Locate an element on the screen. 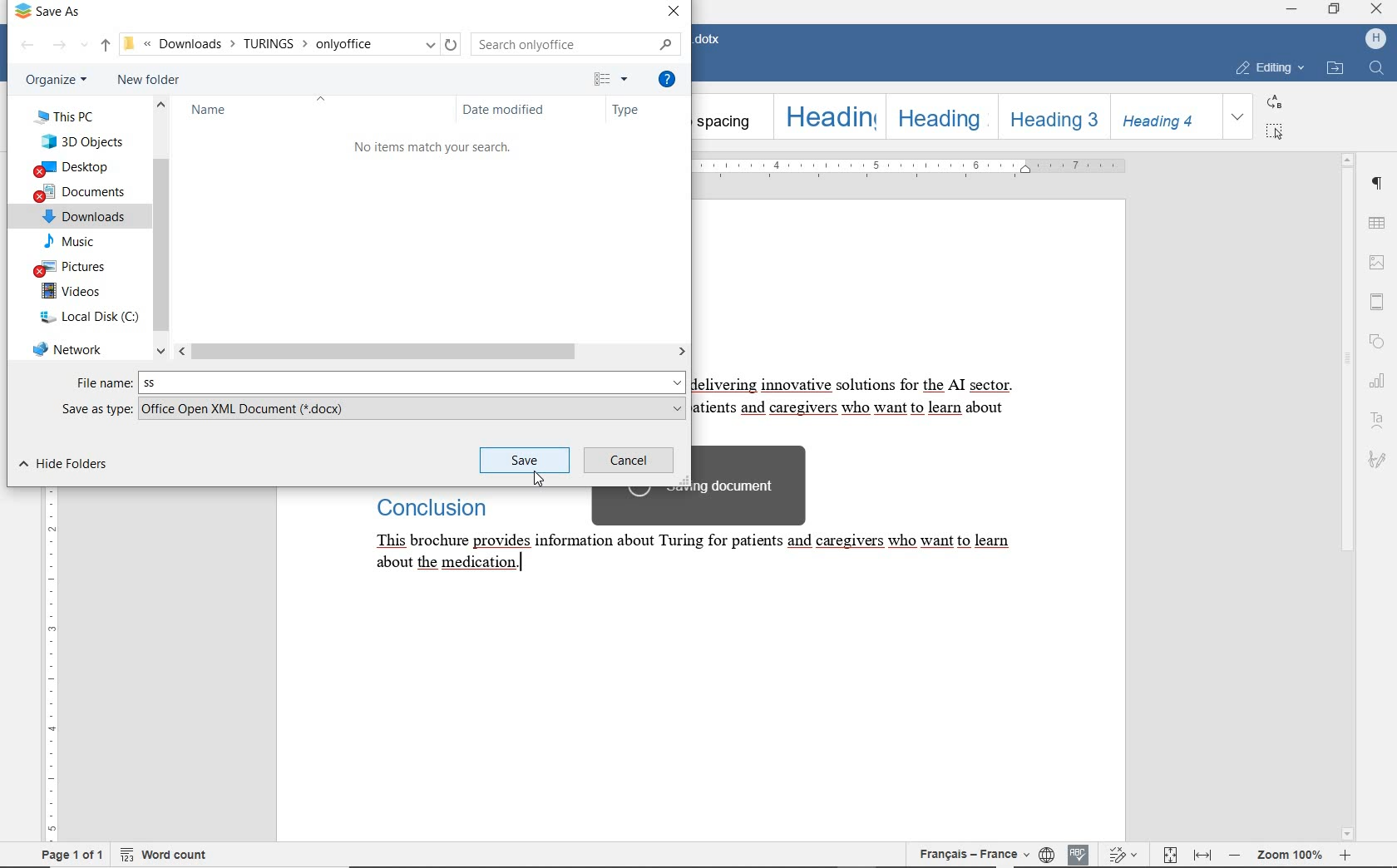 The width and height of the screenshot is (1397, 868). NAME is located at coordinates (214, 111).